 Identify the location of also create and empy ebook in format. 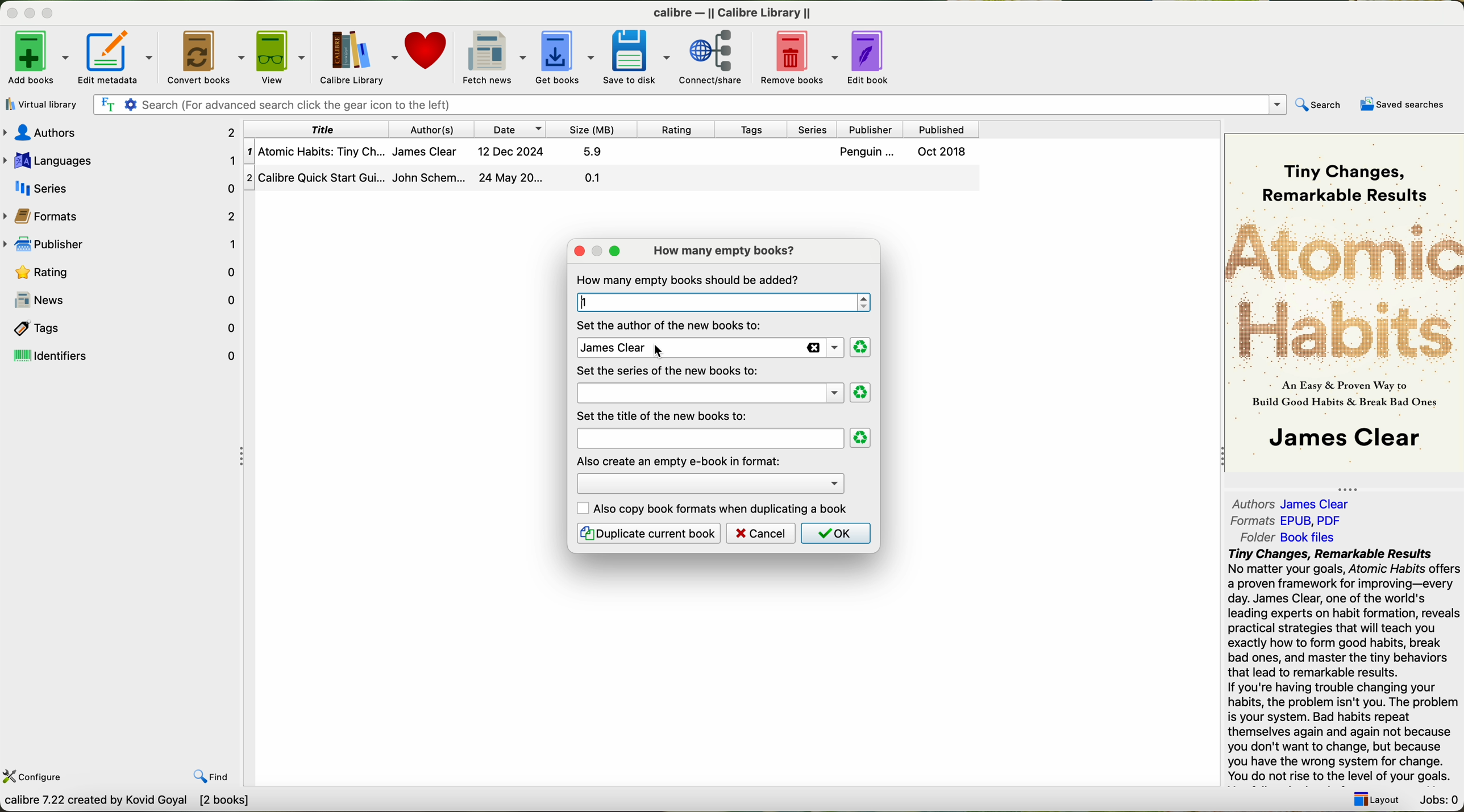
(680, 460).